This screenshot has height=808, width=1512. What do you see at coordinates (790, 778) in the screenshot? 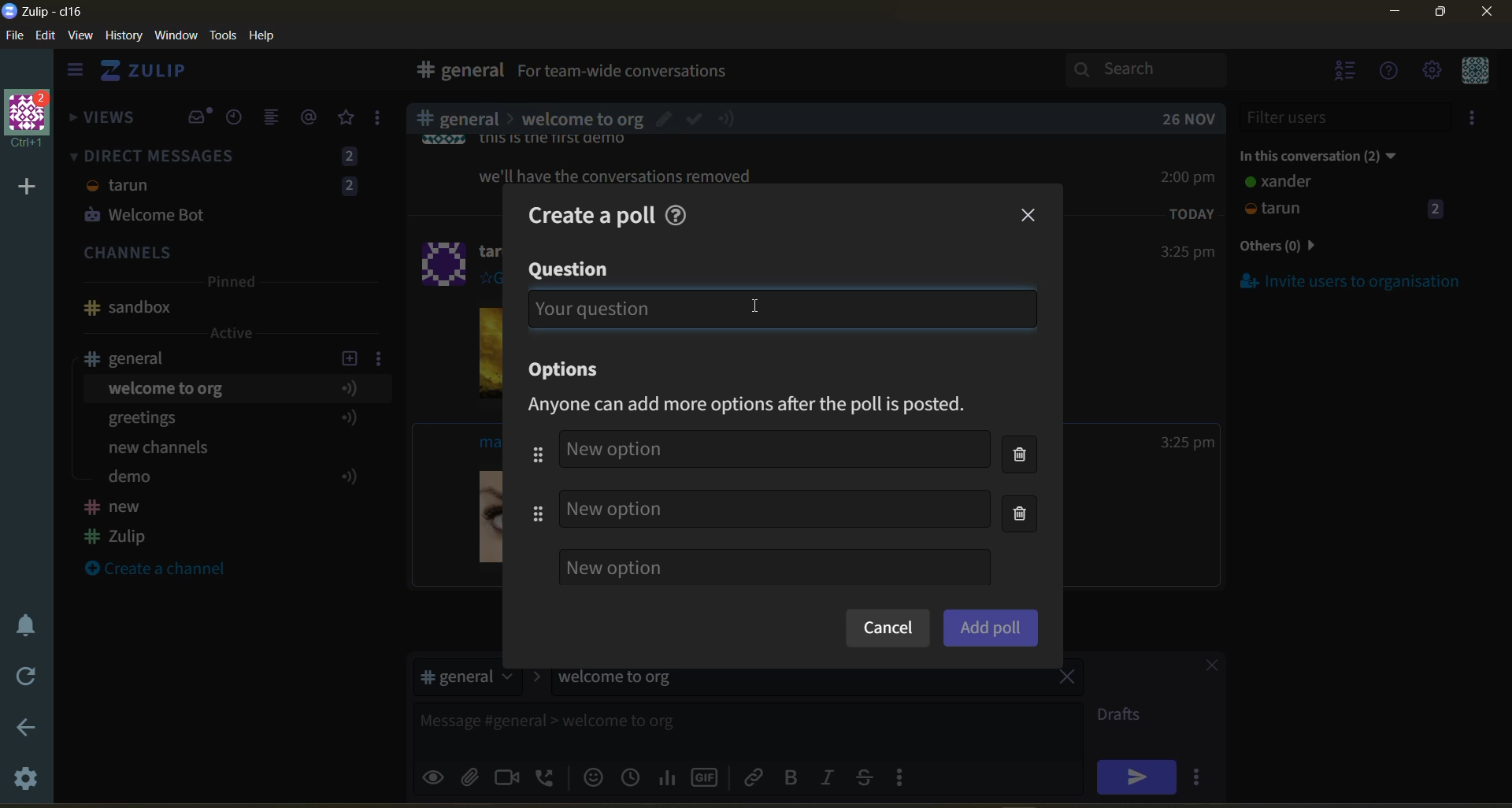
I see `bold` at bounding box center [790, 778].